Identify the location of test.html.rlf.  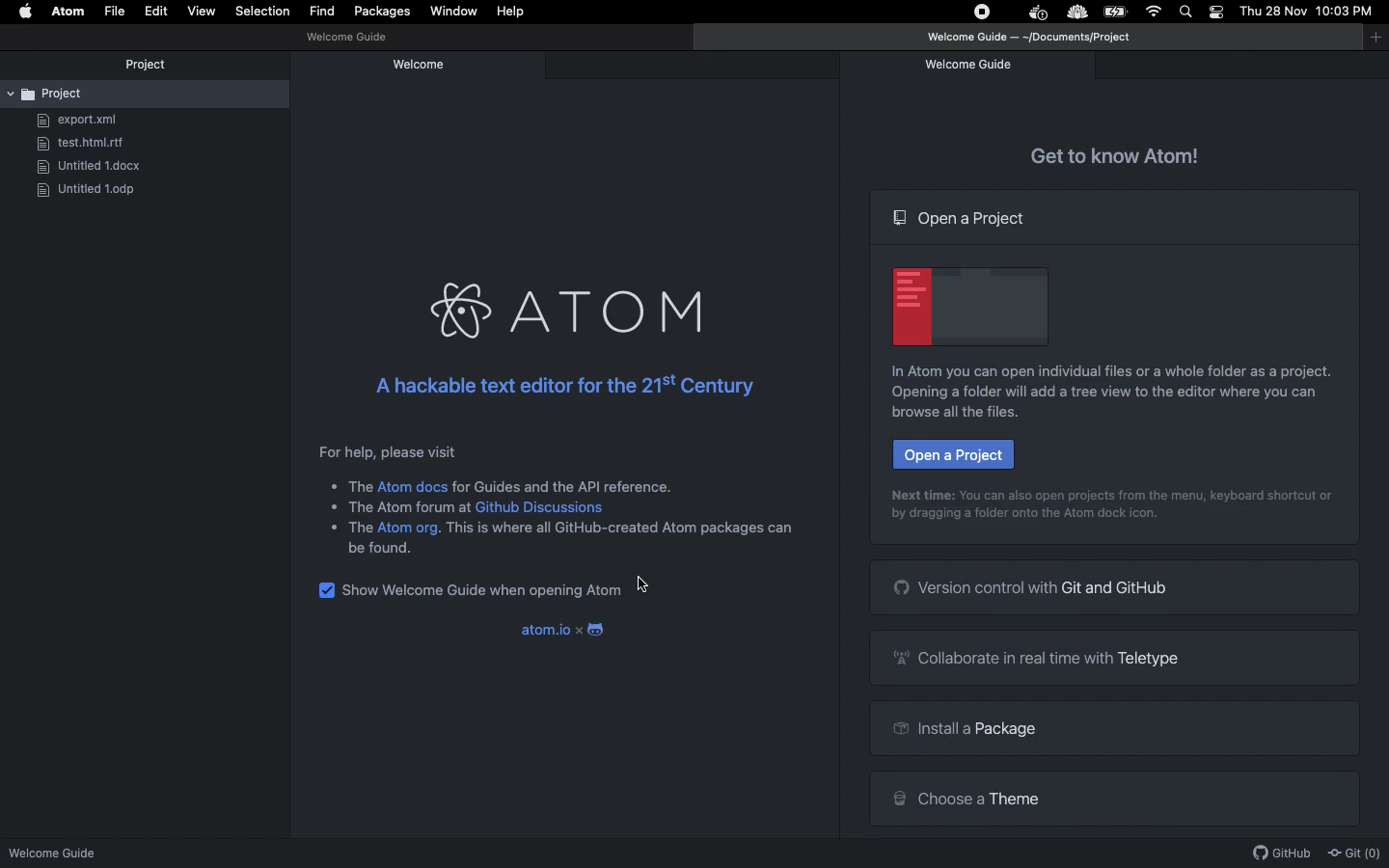
(90, 143).